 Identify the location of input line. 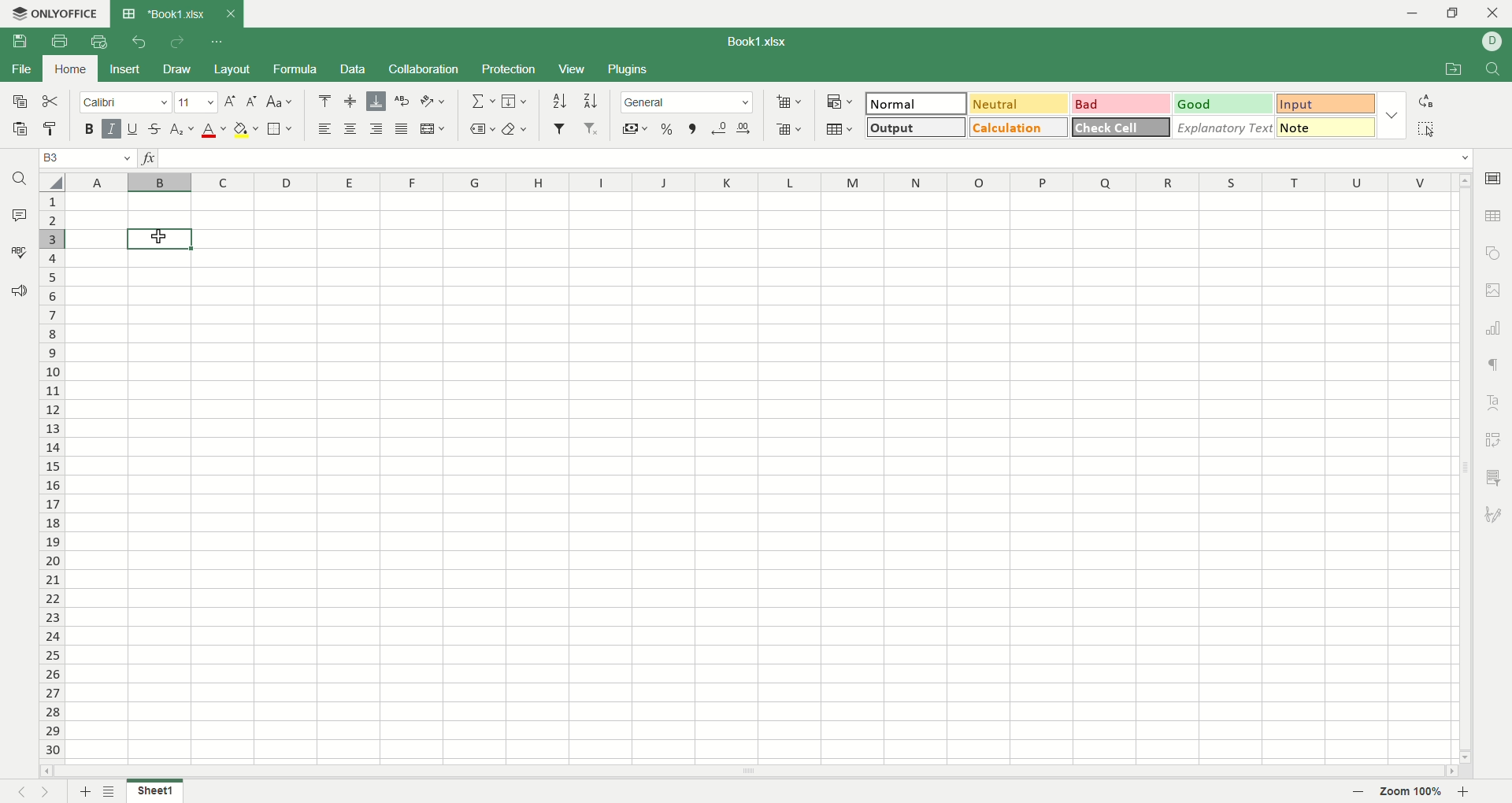
(816, 159).